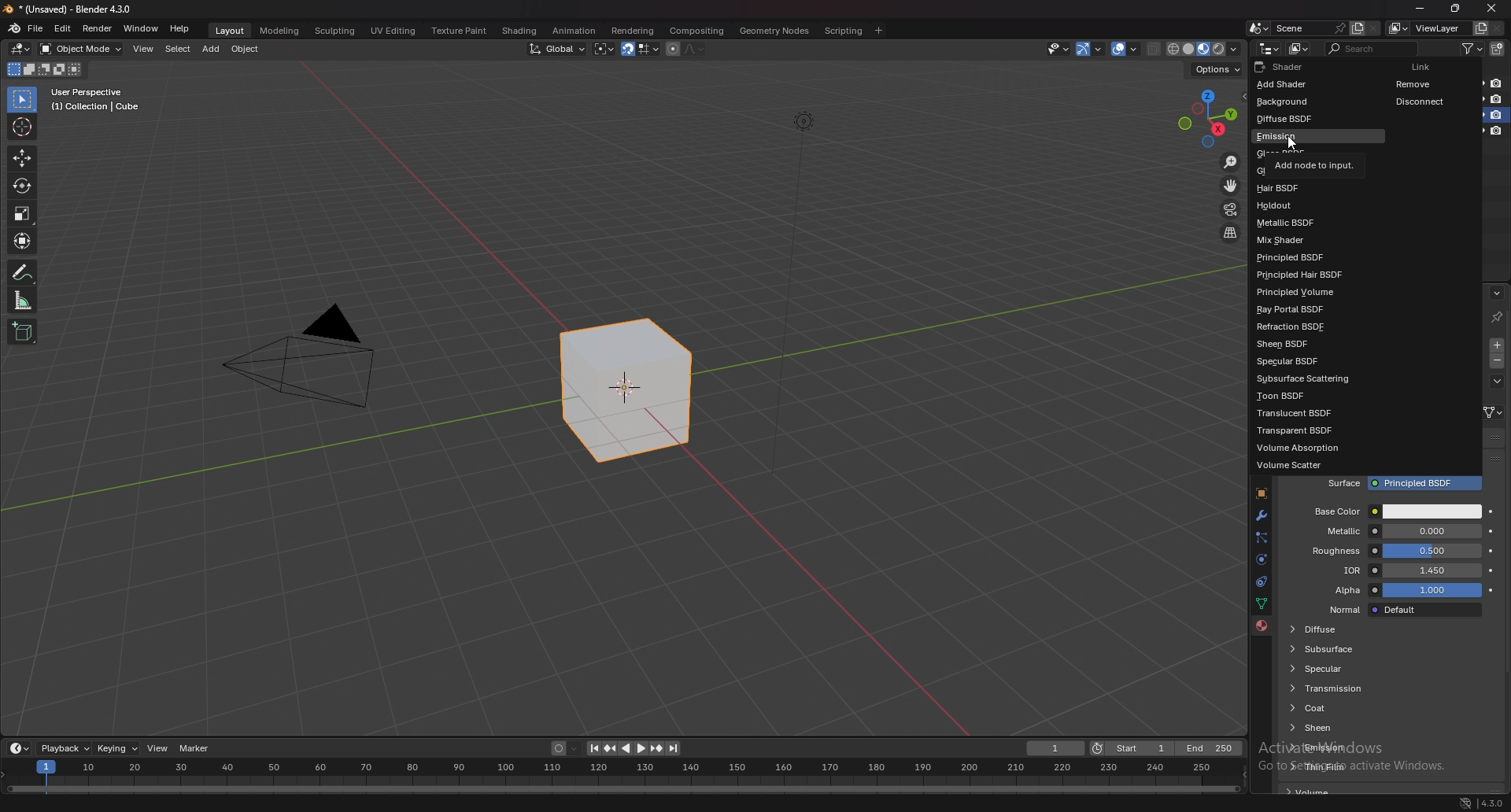  I want to click on animate property, so click(1492, 531).